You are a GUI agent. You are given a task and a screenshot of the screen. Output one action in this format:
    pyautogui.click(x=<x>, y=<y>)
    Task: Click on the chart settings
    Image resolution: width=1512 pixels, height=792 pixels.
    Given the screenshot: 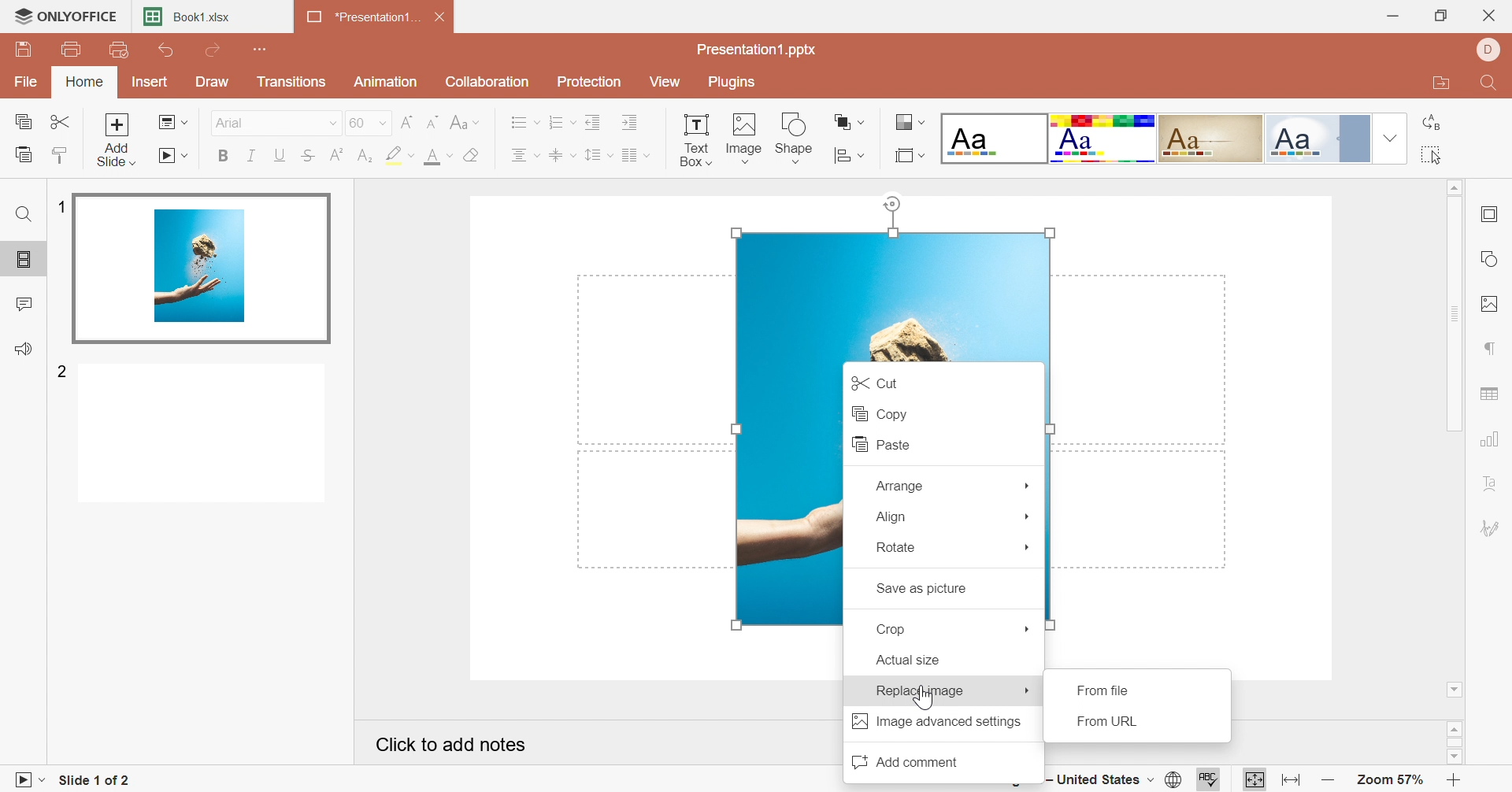 What is the action you would take?
    pyautogui.click(x=1493, y=437)
    